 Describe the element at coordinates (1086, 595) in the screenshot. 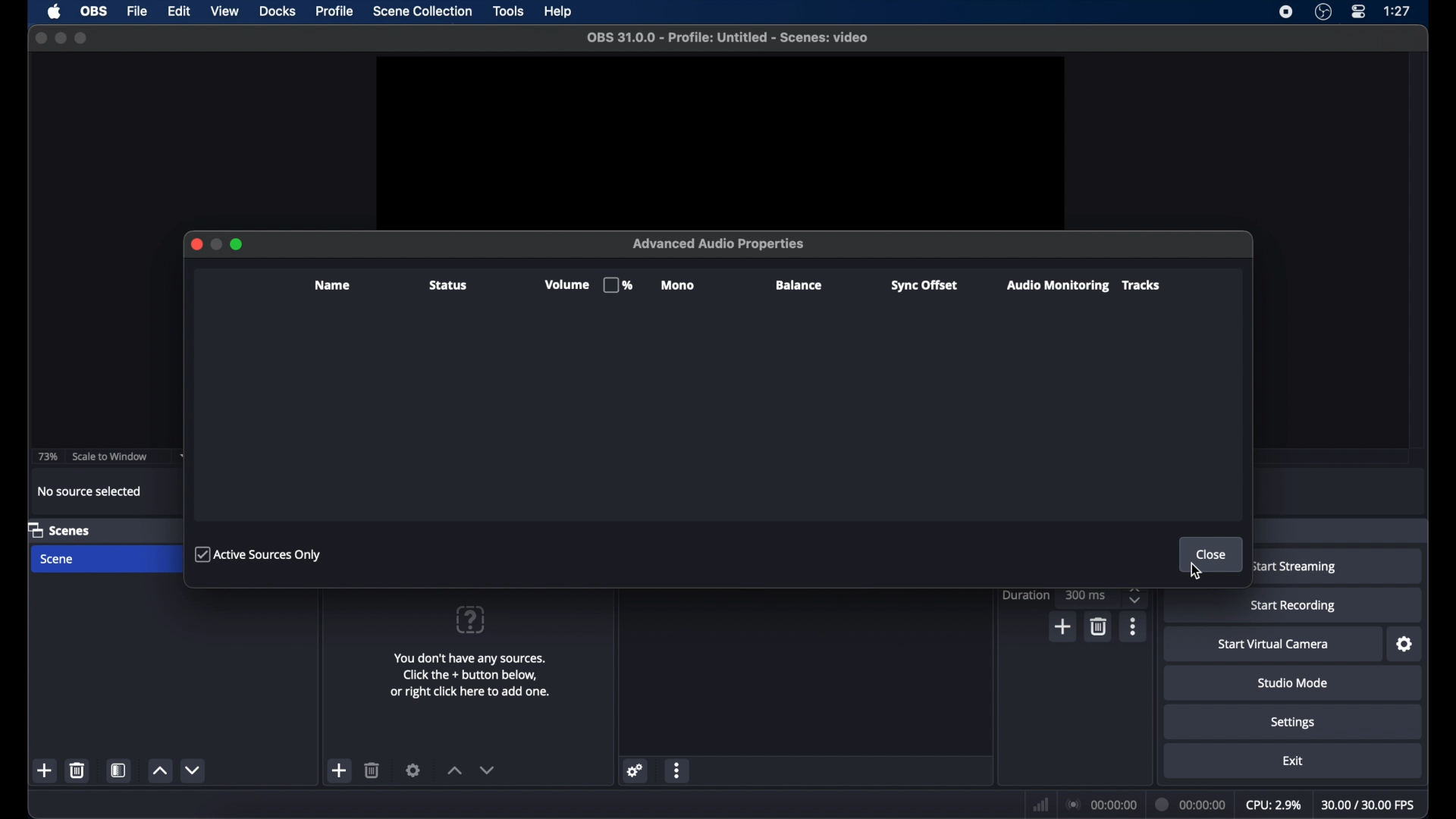

I see `300ms` at that location.